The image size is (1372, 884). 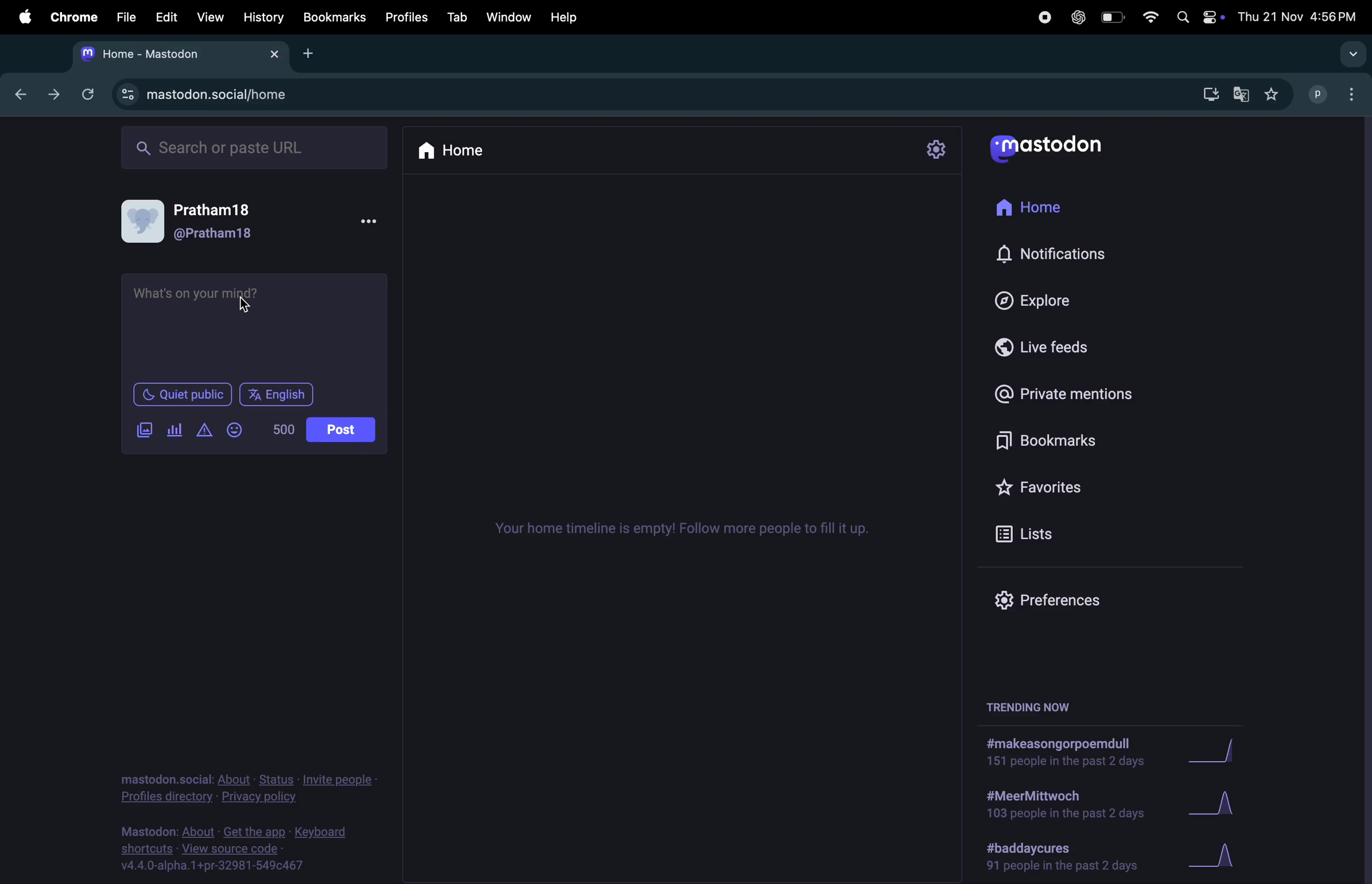 I want to click on no of words, so click(x=286, y=431).